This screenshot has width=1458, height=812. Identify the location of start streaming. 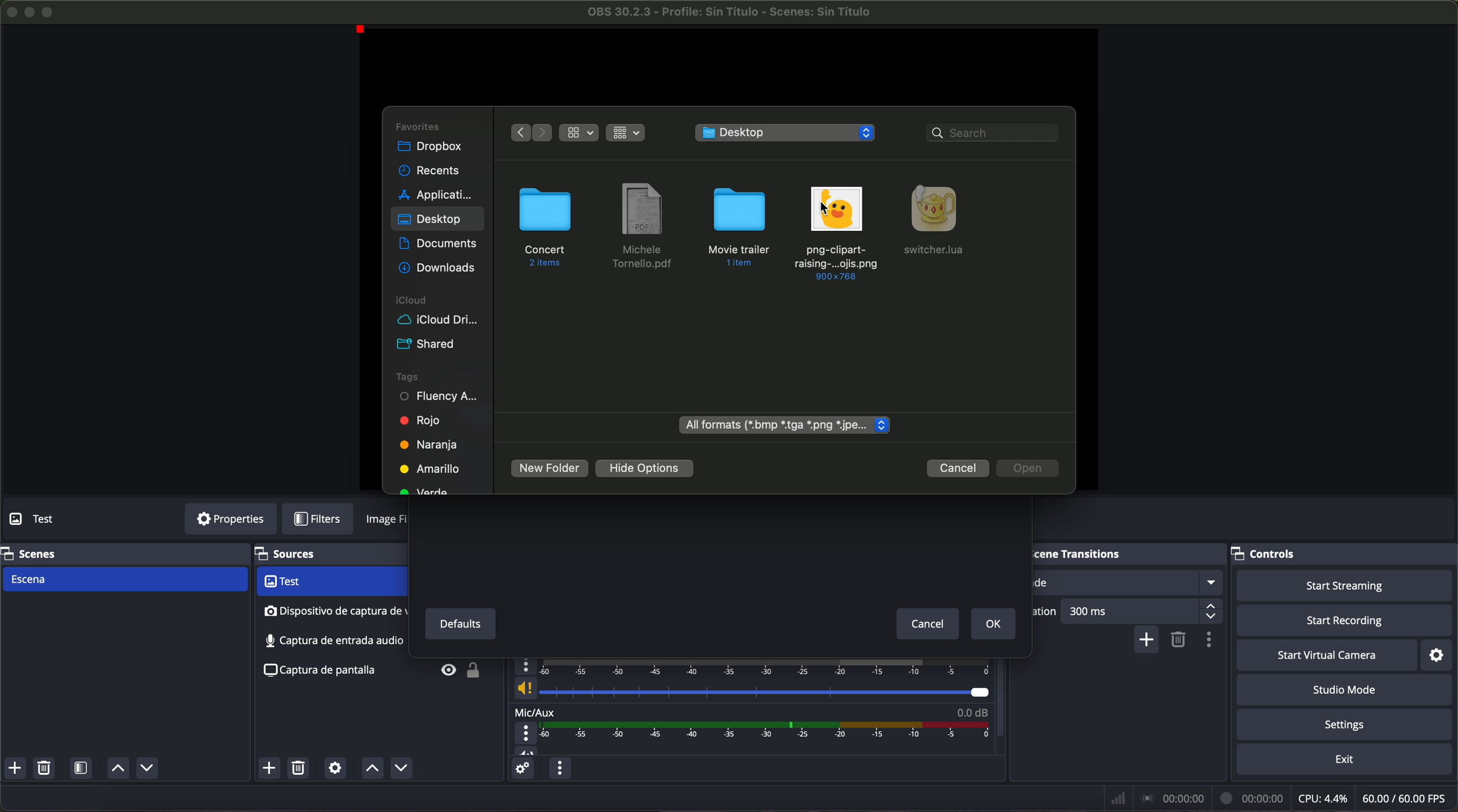
(1340, 585).